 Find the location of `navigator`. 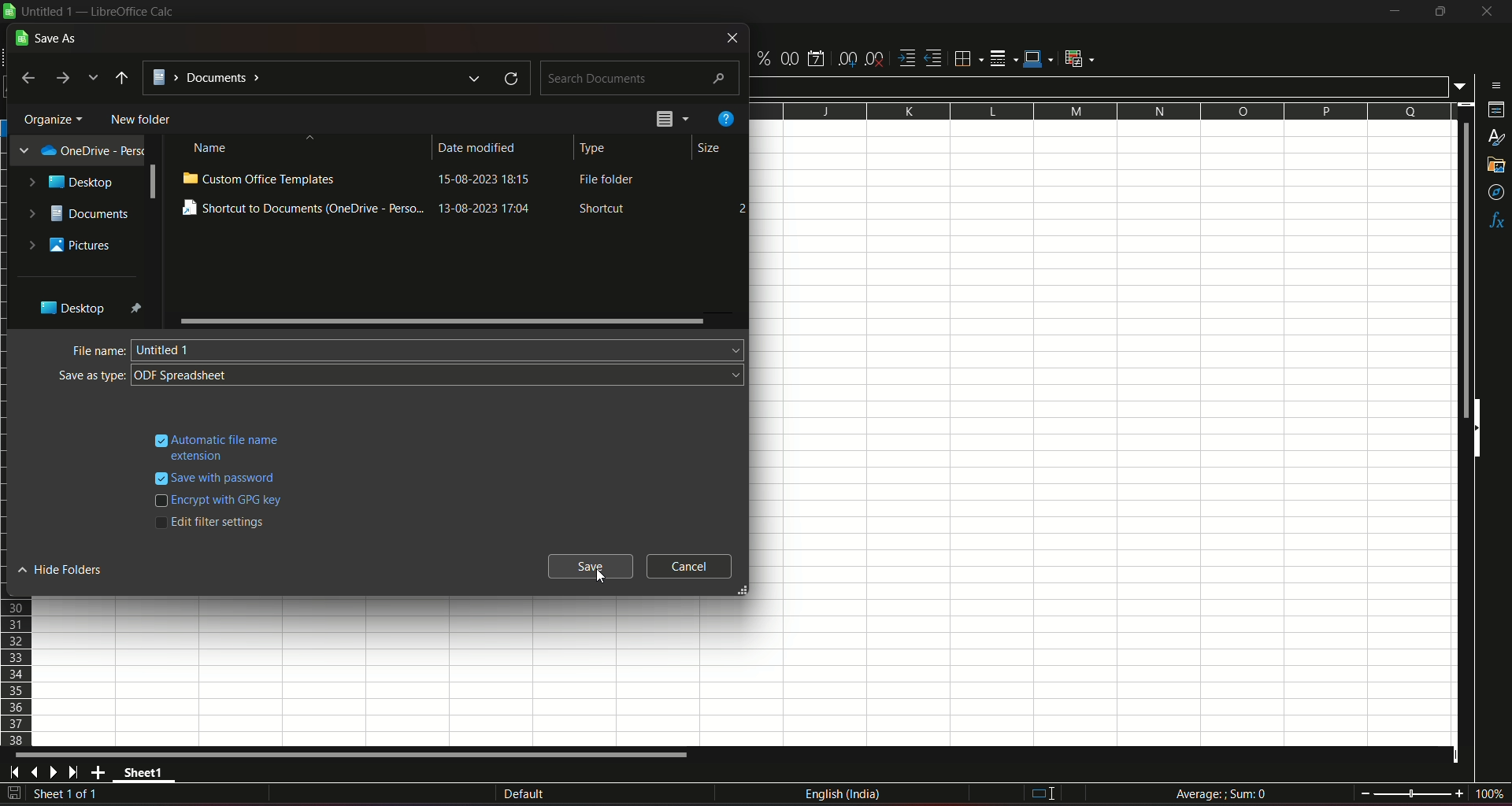

navigator is located at coordinates (1495, 192).